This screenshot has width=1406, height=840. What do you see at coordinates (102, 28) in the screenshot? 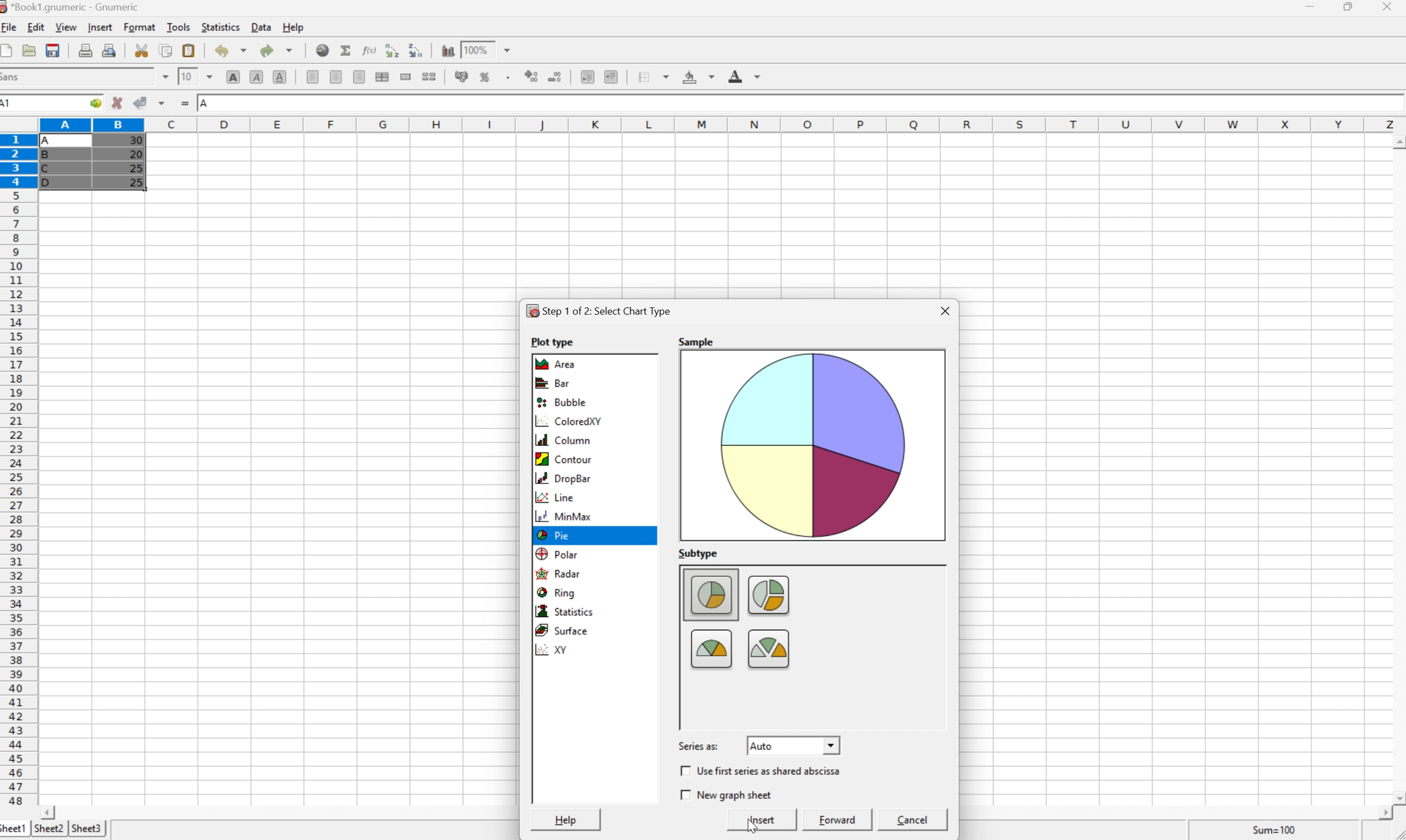
I see `Insert` at bounding box center [102, 28].